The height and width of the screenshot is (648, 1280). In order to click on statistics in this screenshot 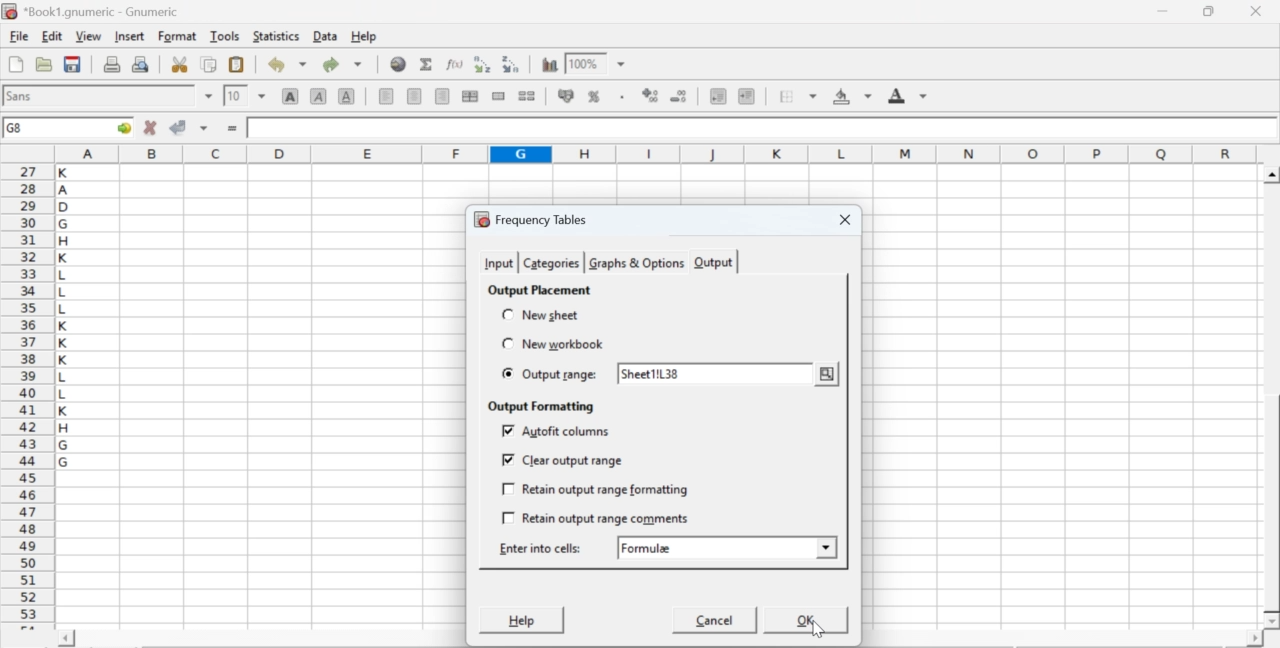, I will do `click(274, 36)`.